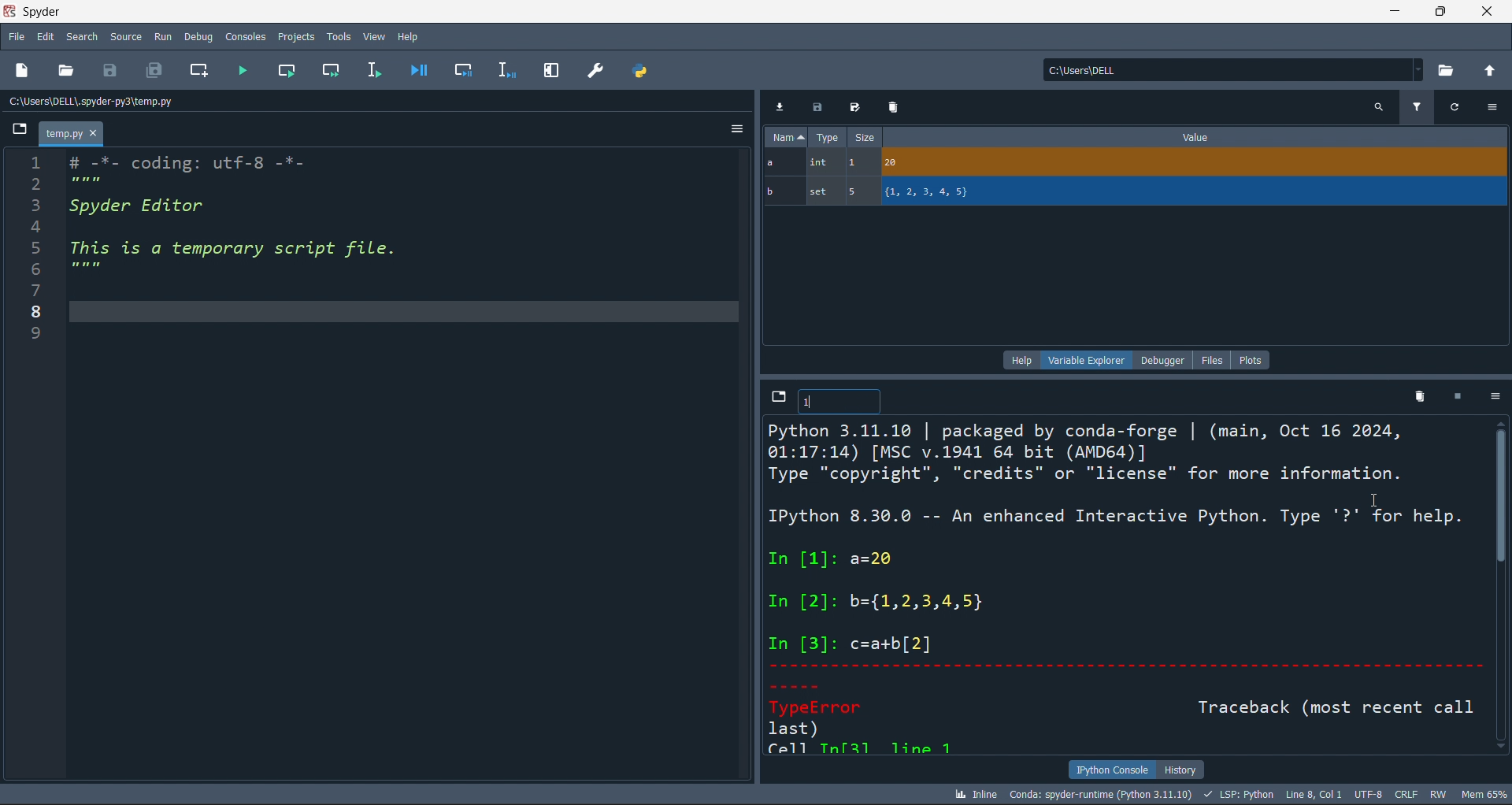  What do you see at coordinates (1453, 106) in the screenshot?
I see `refresh ` at bounding box center [1453, 106].